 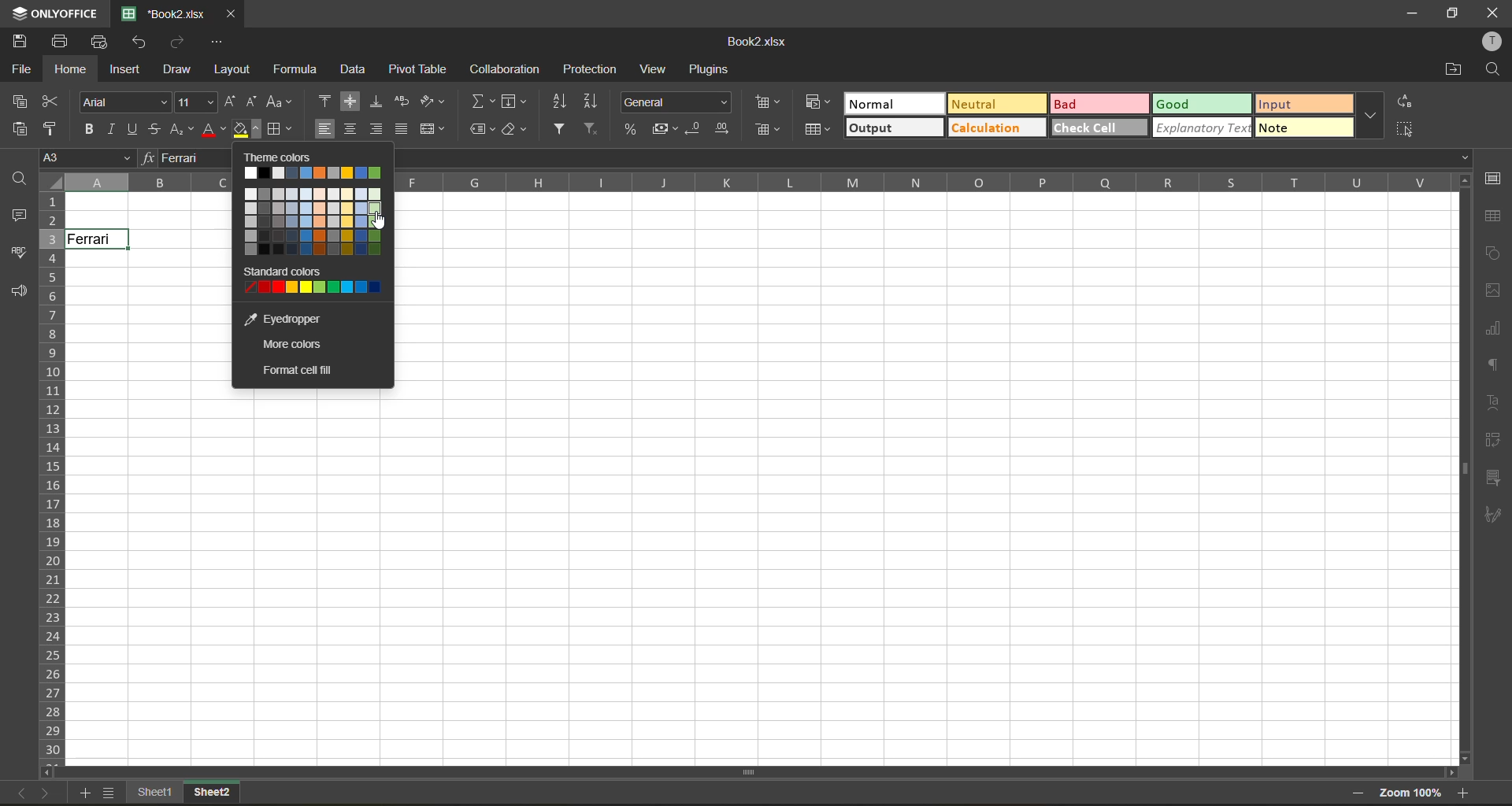 I want to click on font style, so click(x=127, y=102).